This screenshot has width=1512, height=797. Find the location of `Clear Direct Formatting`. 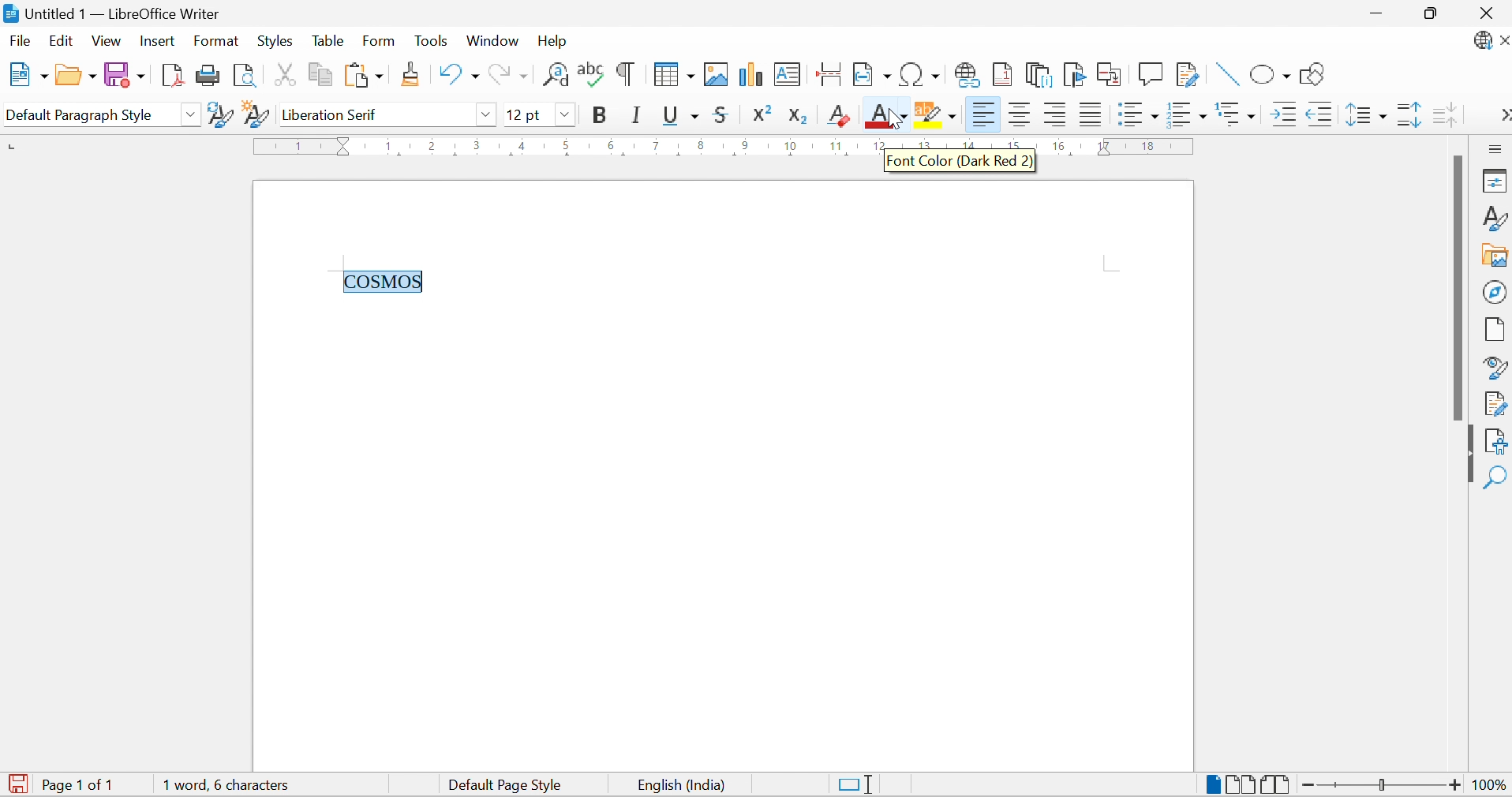

Clear Direct Formatting is located at coordinates (839, 115).